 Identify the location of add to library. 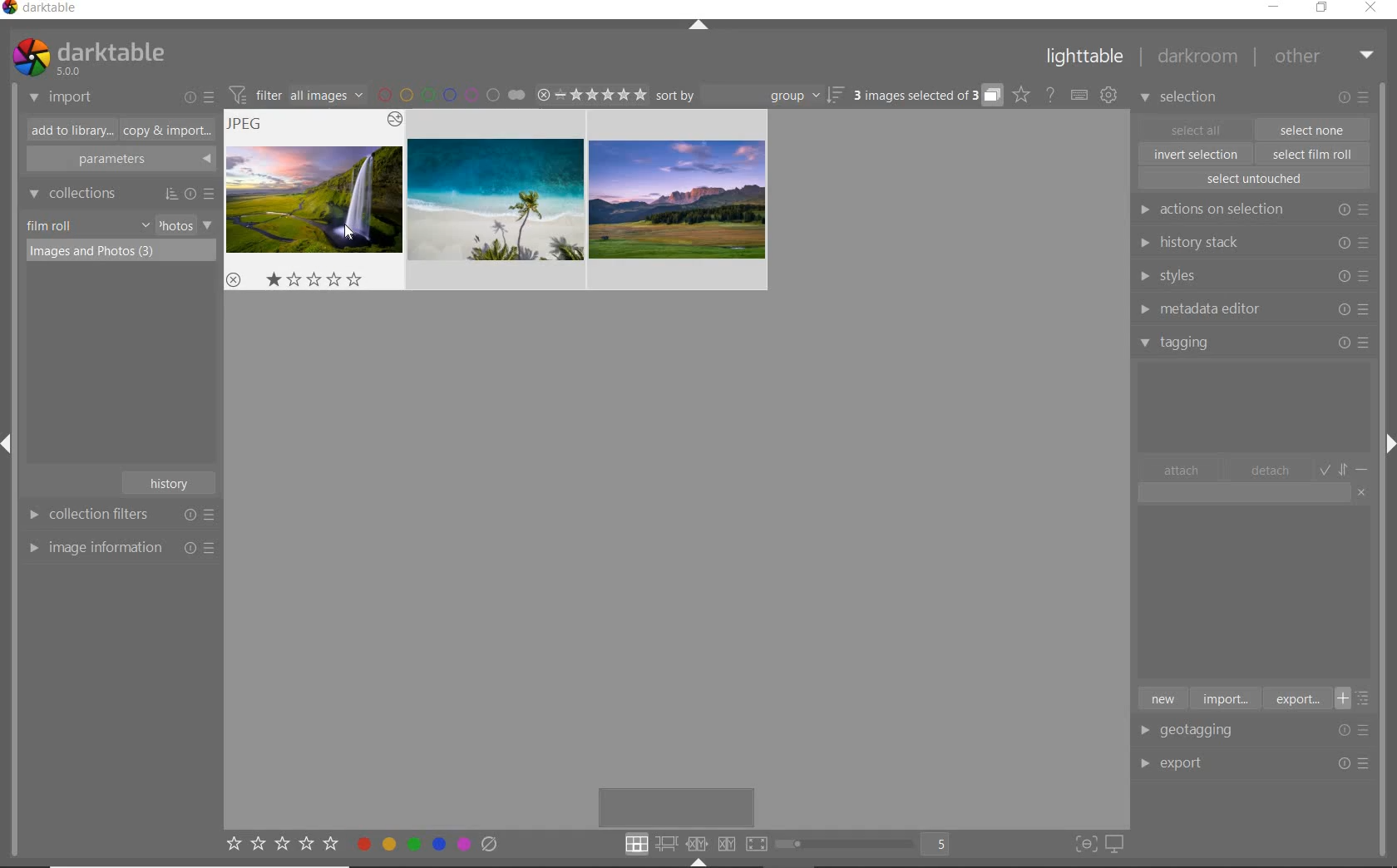
(67, 131).